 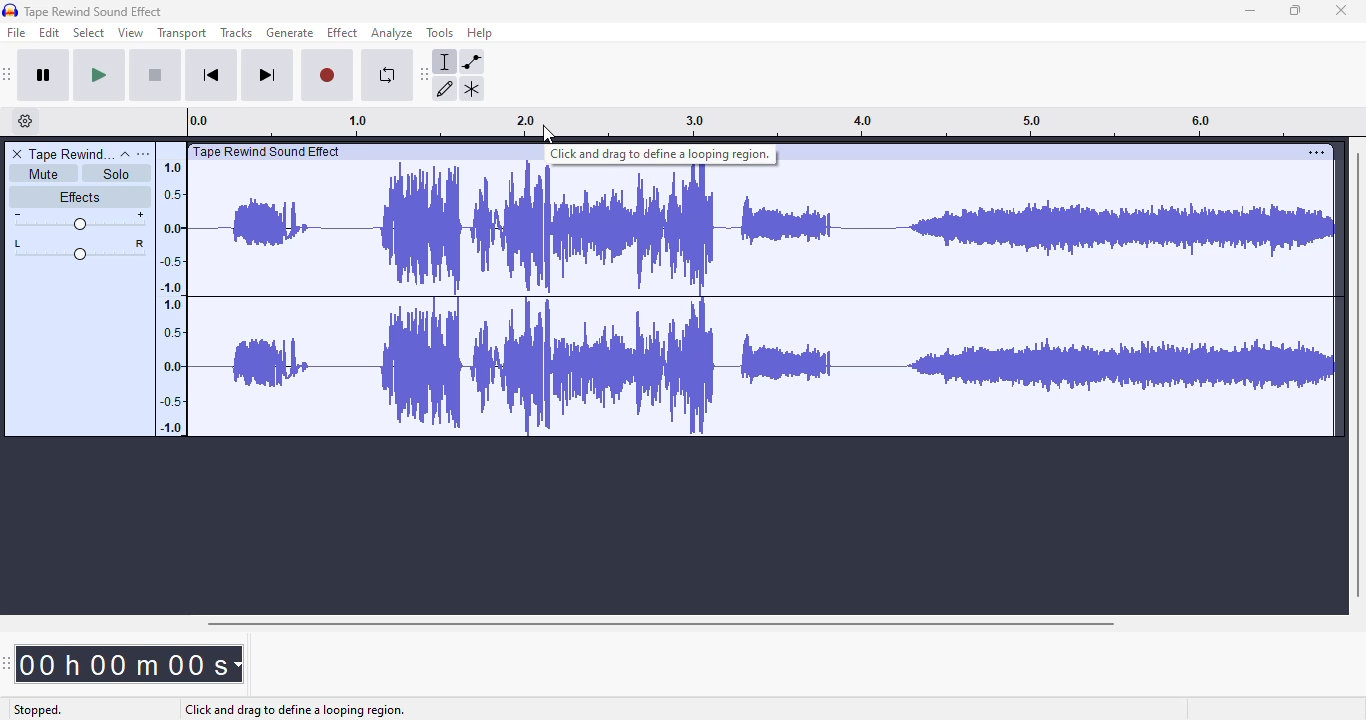 What do you see at coordinates (101, 11) in the screenshot?
I see `Tape Rewind Sound Effect` at bounding box center [101, 11].